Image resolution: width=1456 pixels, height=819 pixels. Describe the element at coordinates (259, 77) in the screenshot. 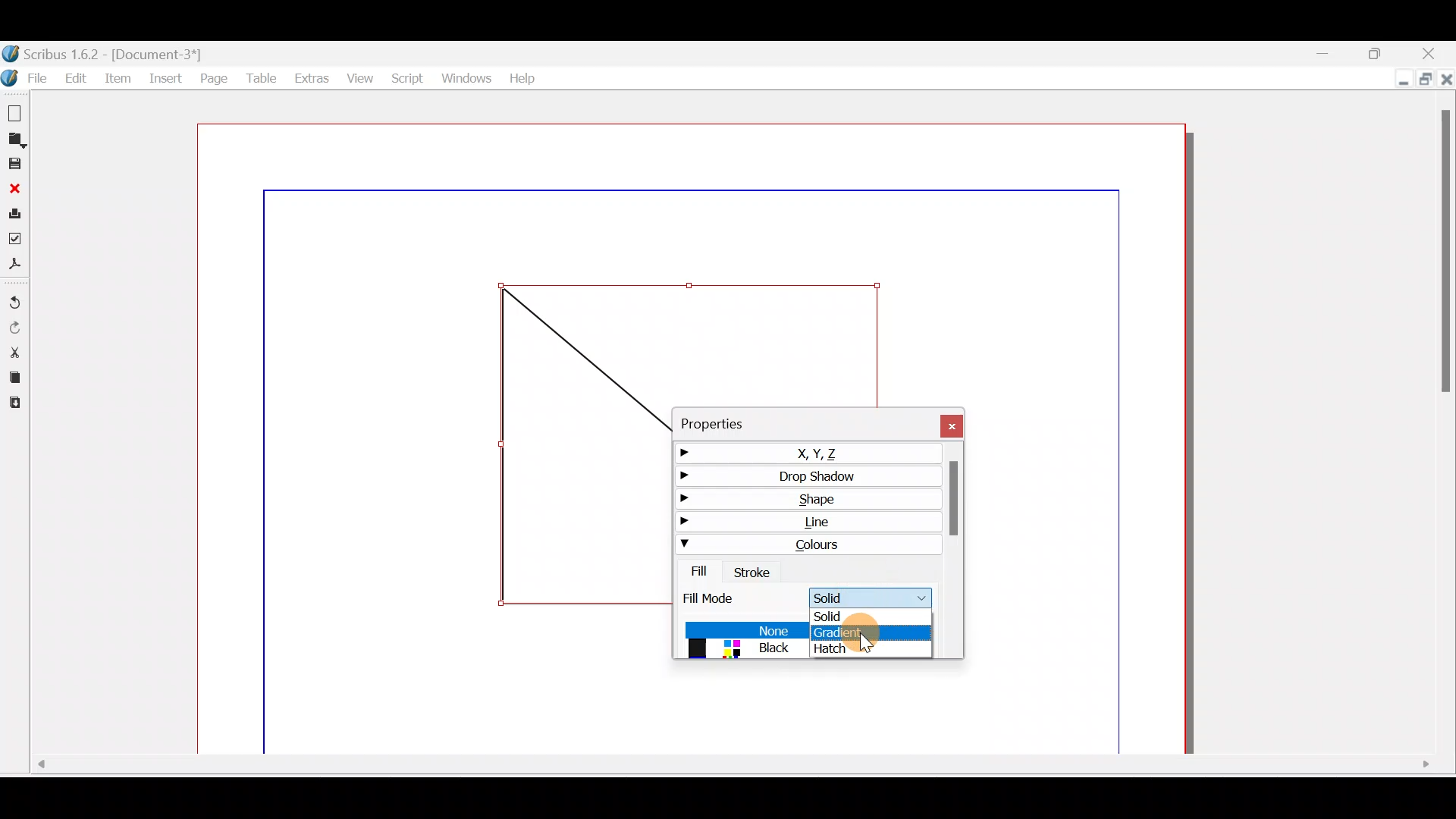

I see `Table` at that location.